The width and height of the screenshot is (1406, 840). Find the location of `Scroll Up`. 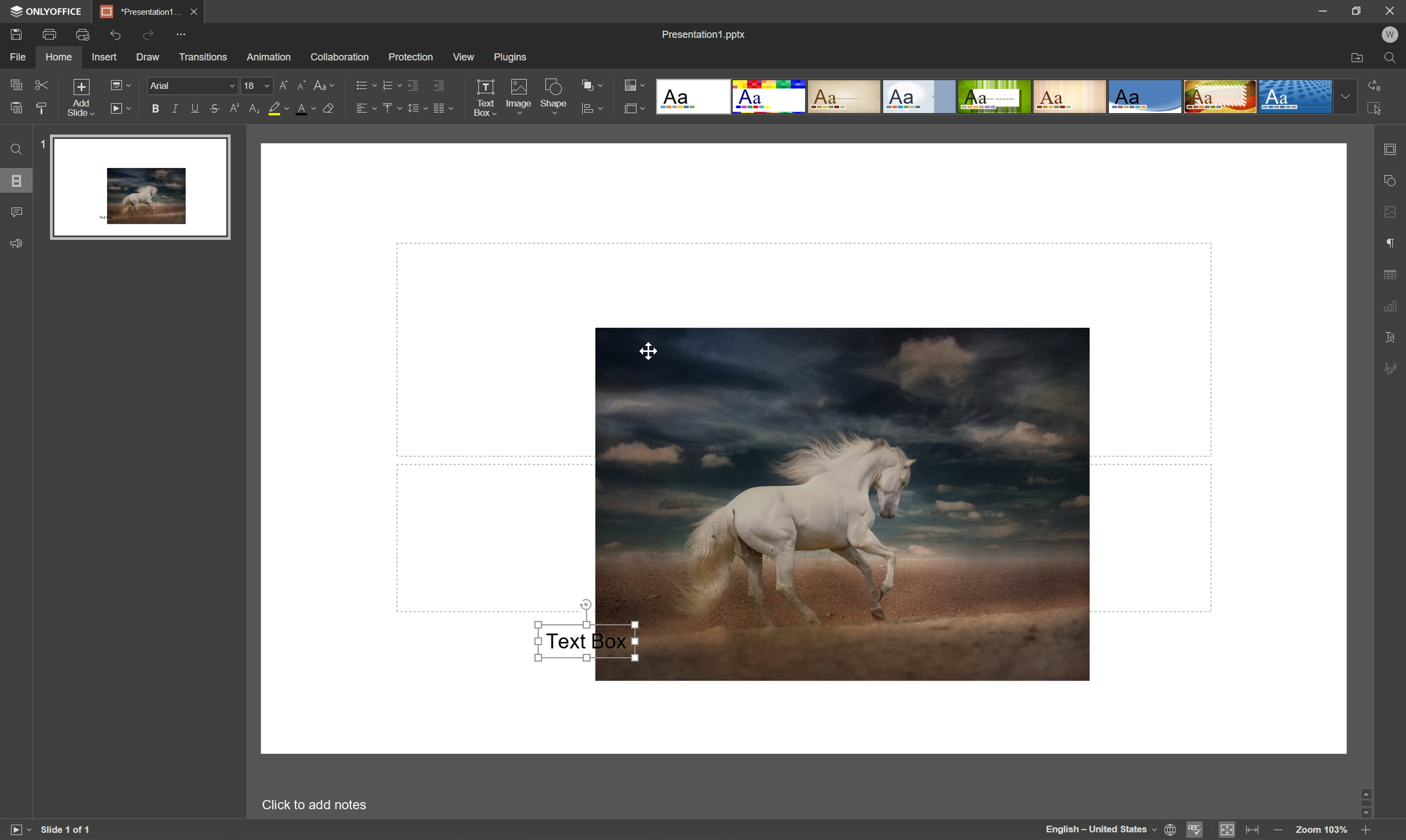

Scroll Up is located at coordinates (1365, 788).